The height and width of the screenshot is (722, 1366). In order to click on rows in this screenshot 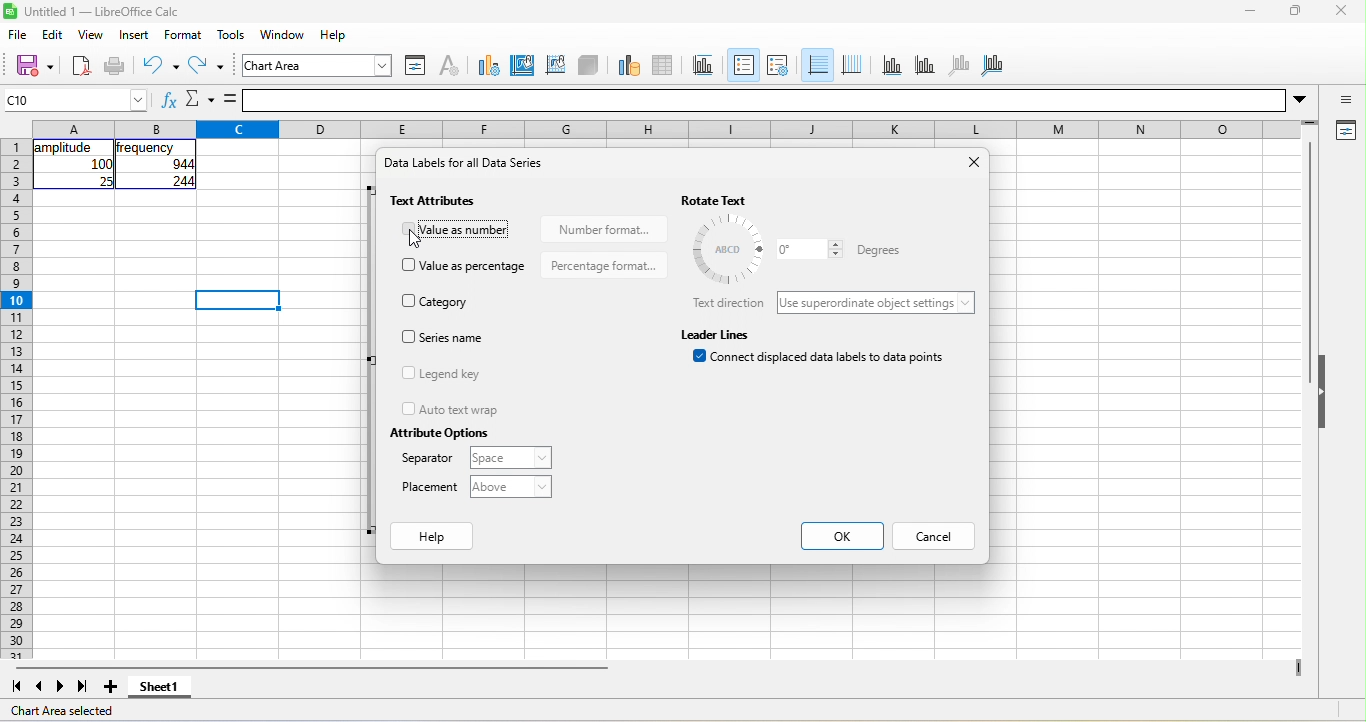, I will do `click(15, 399)`.